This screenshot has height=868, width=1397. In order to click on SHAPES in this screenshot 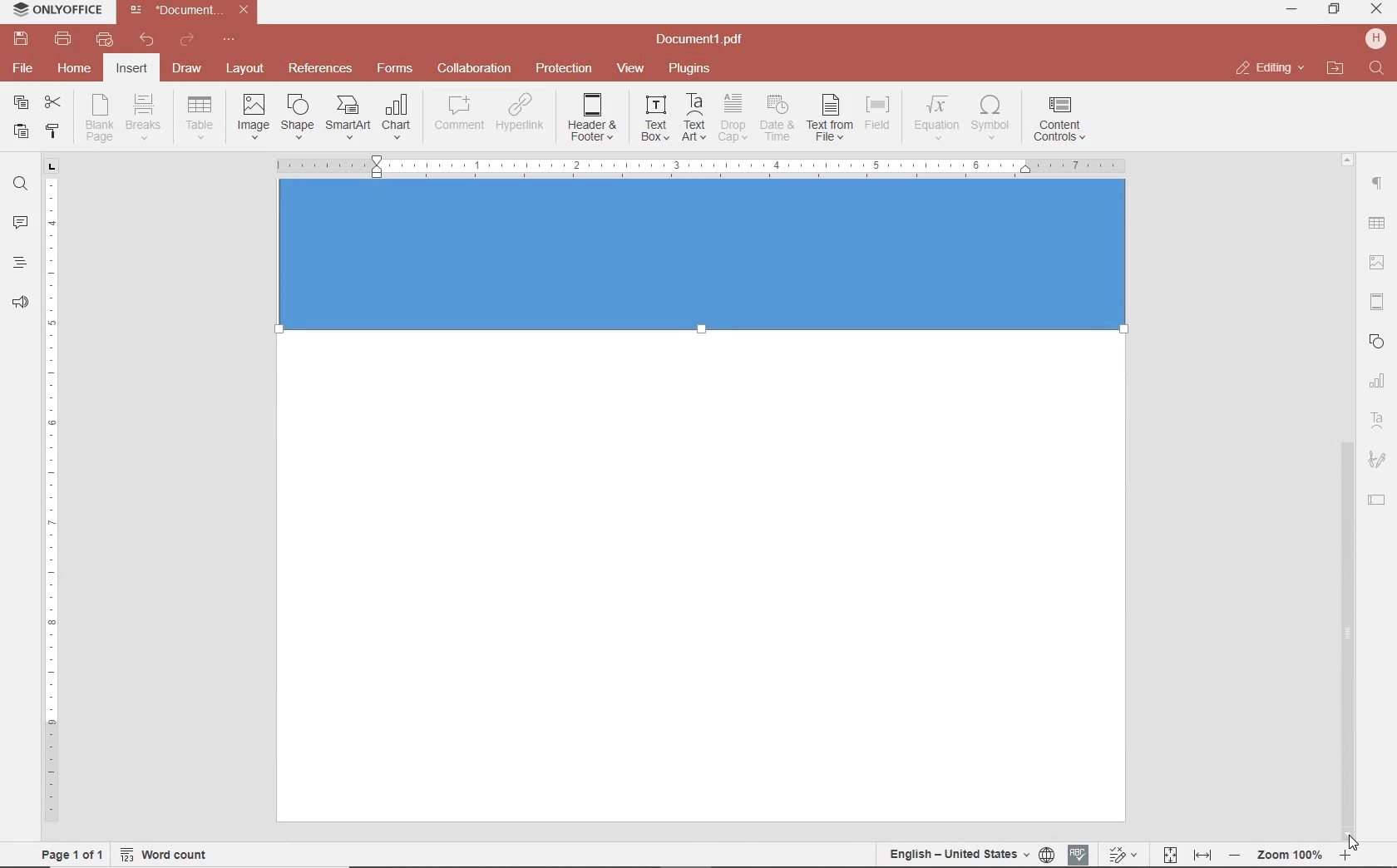, I will do `click(1378, 343)`.